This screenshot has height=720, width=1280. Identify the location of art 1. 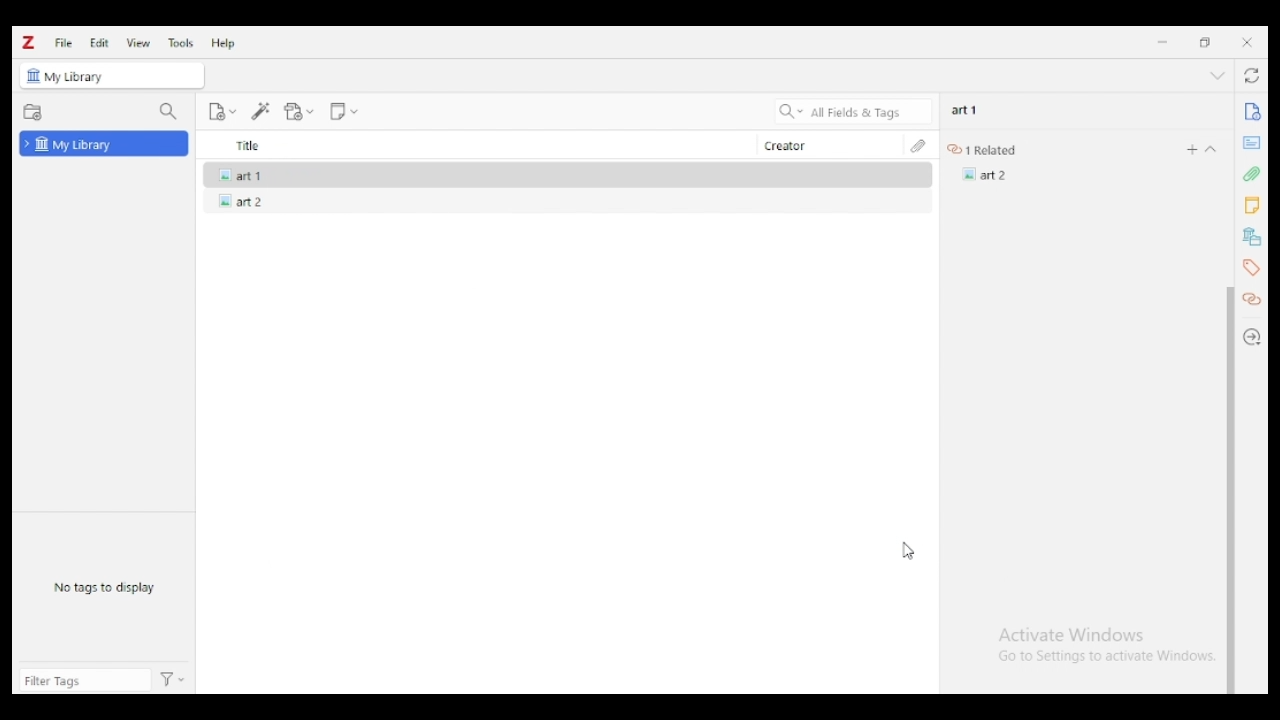
(237, 173).